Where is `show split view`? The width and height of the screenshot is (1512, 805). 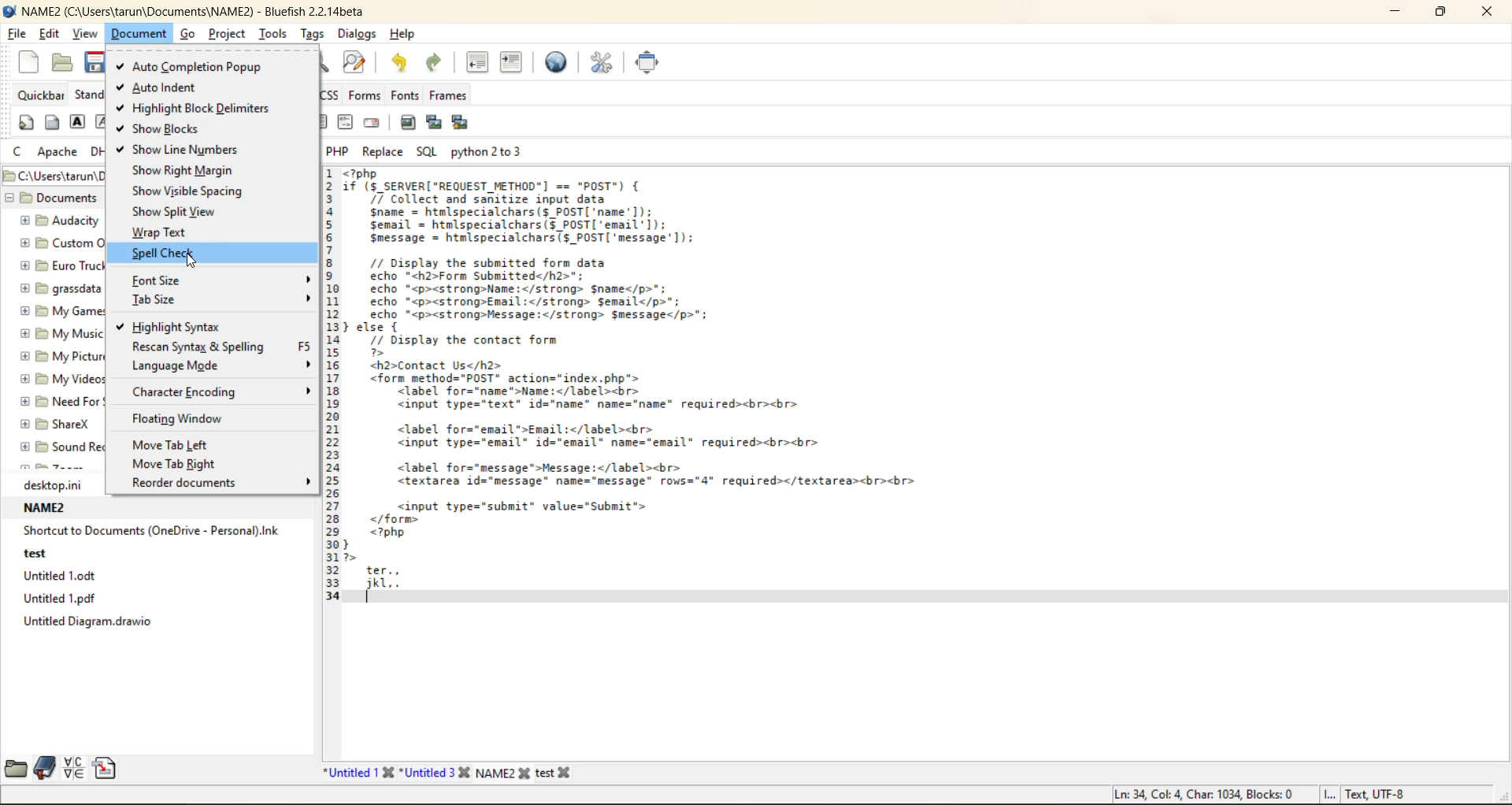
show split view is located at coordinates (176, 212).